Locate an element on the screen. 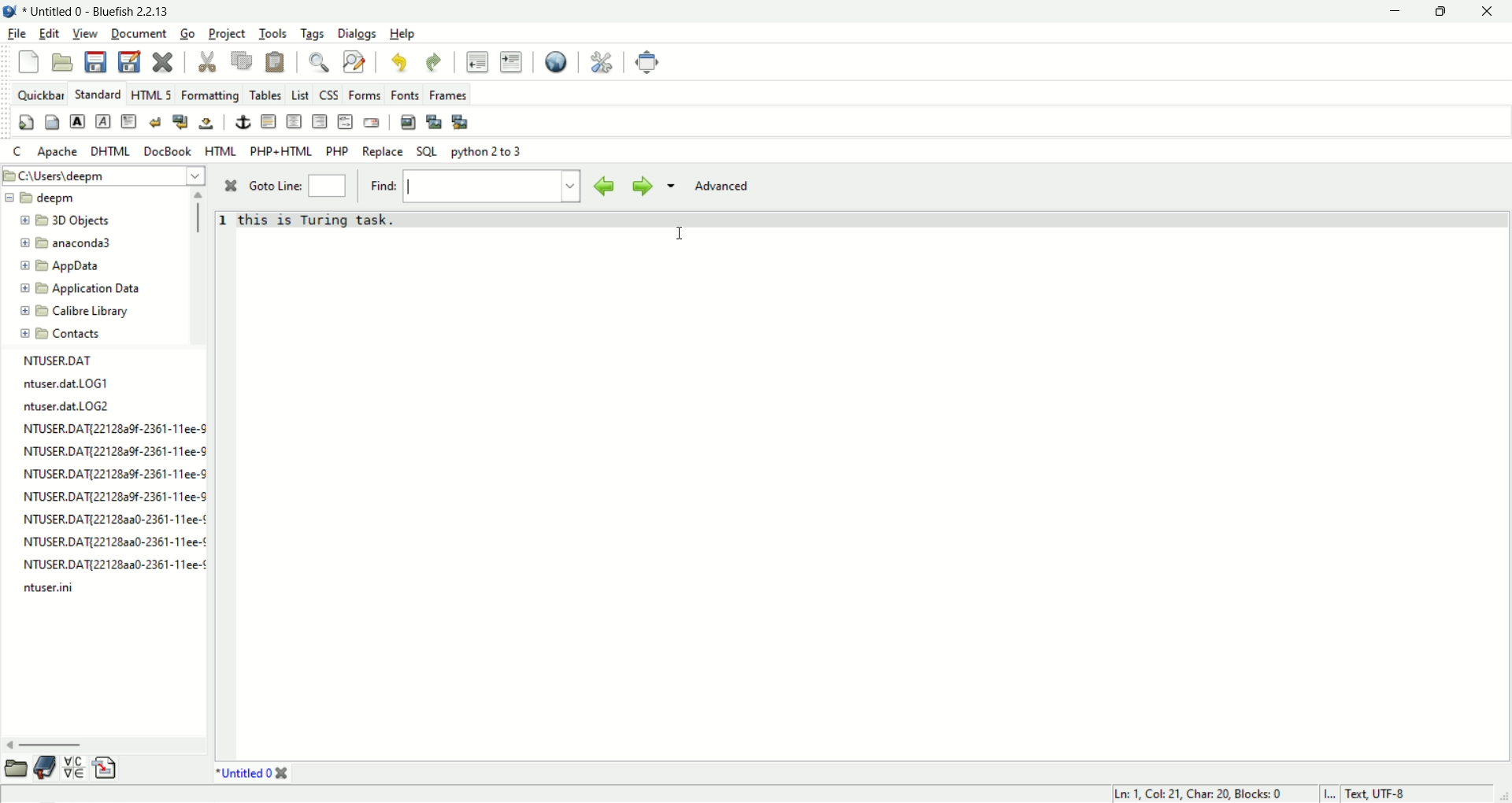  Dialogs is located at coordinates (357, 33).